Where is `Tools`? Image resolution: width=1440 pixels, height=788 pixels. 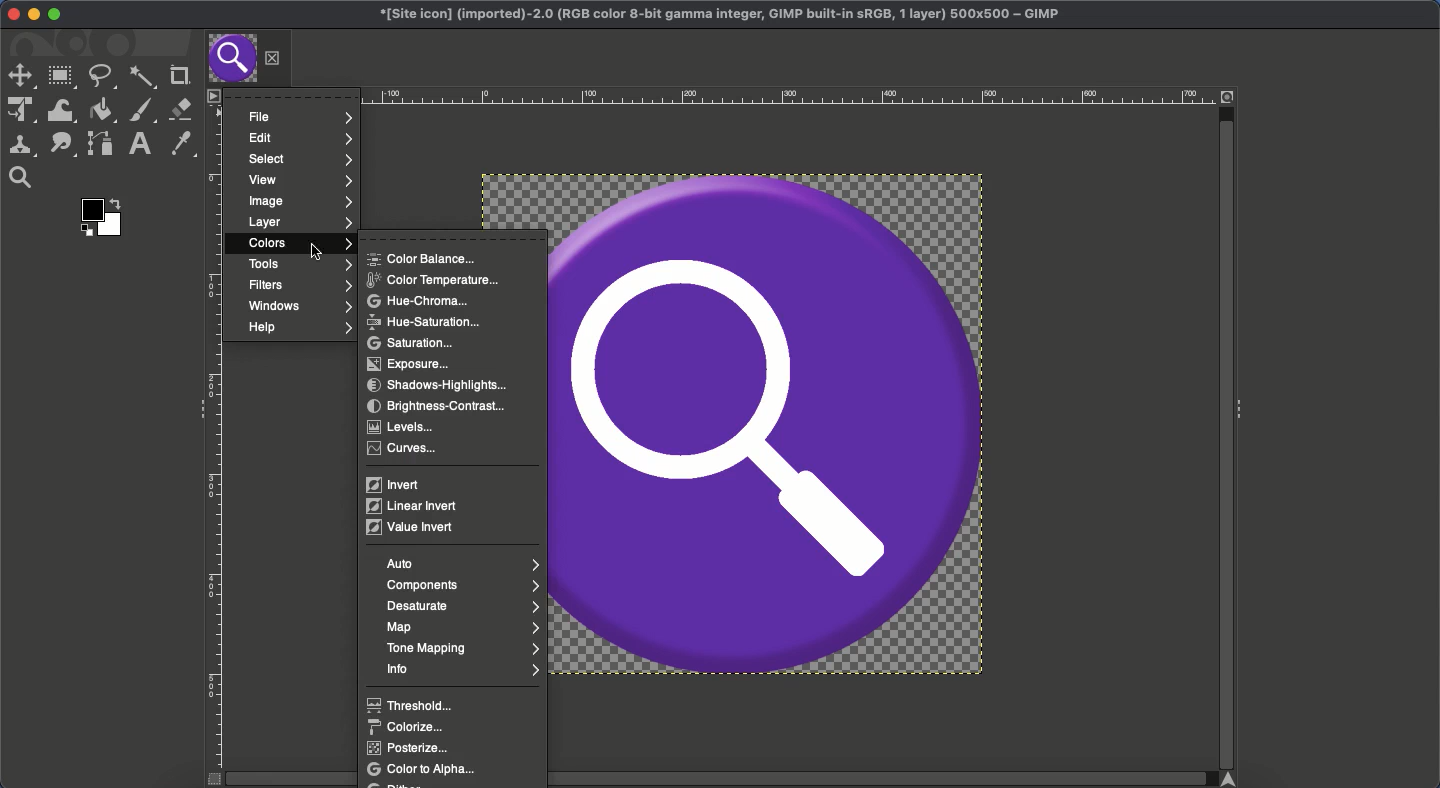 Tools is located at coordinates (295, 264).